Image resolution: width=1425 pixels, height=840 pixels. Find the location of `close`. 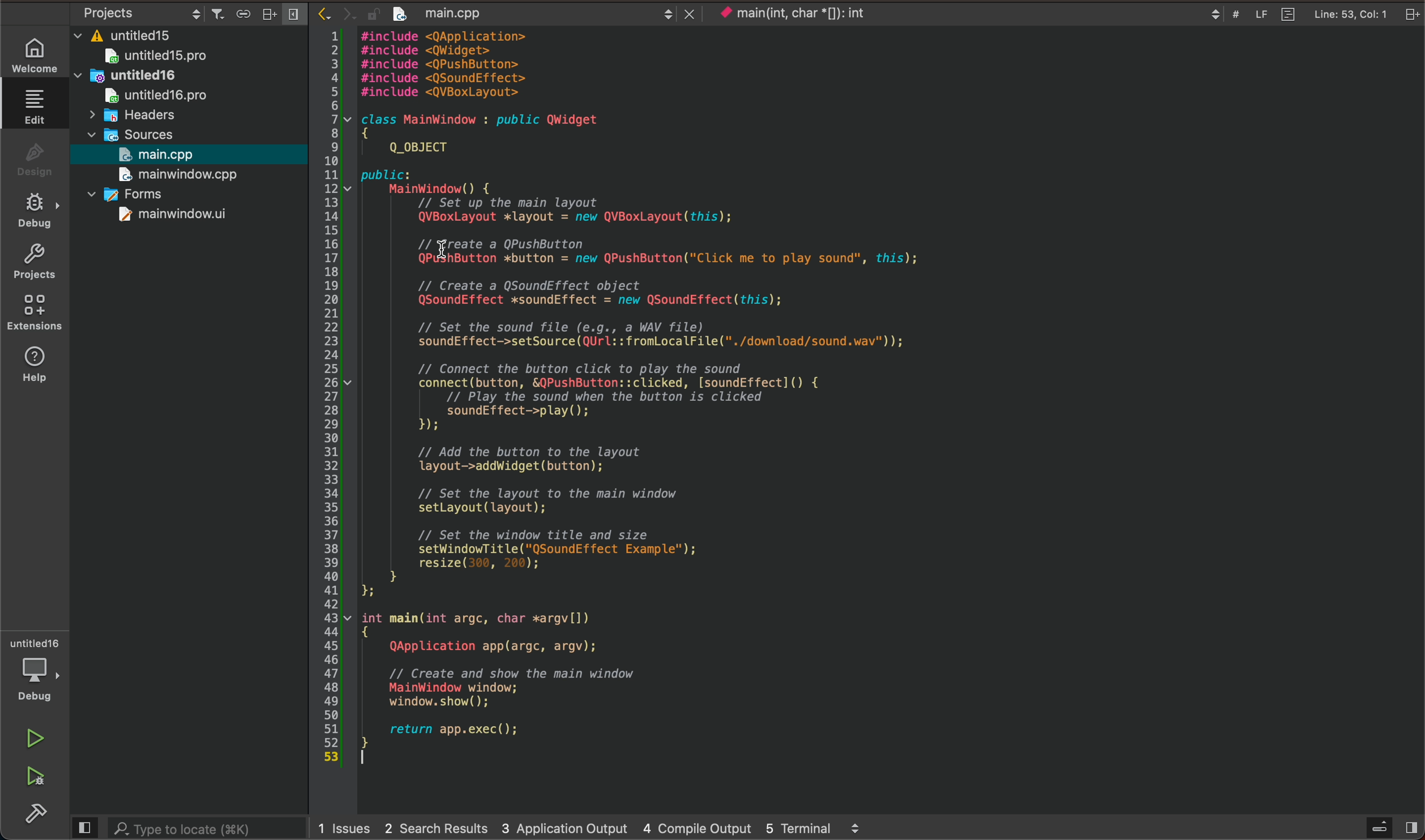

close is located at coordinates (686, 12).